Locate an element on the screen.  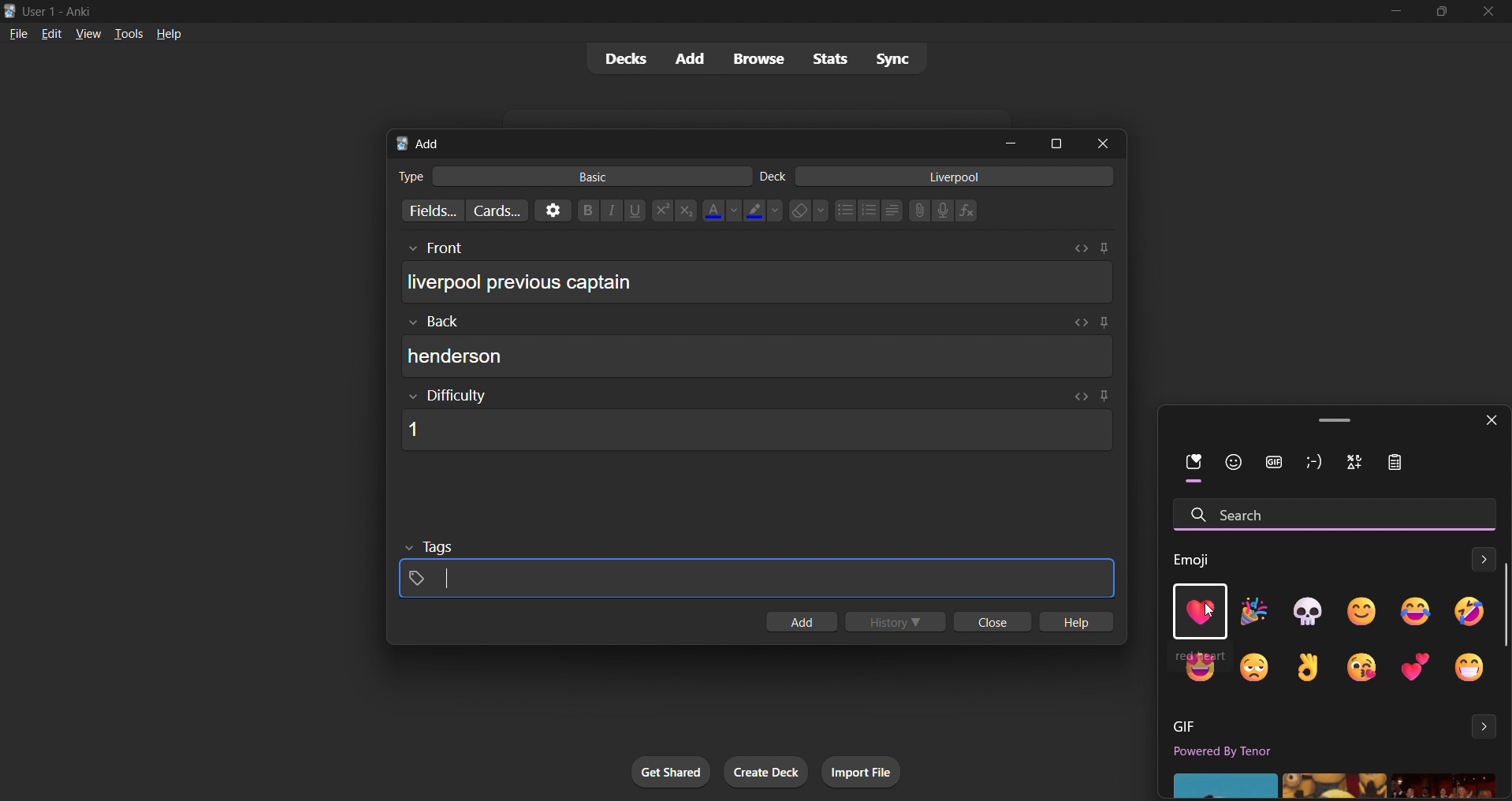
emoji is located at coordinates (1263, 665).